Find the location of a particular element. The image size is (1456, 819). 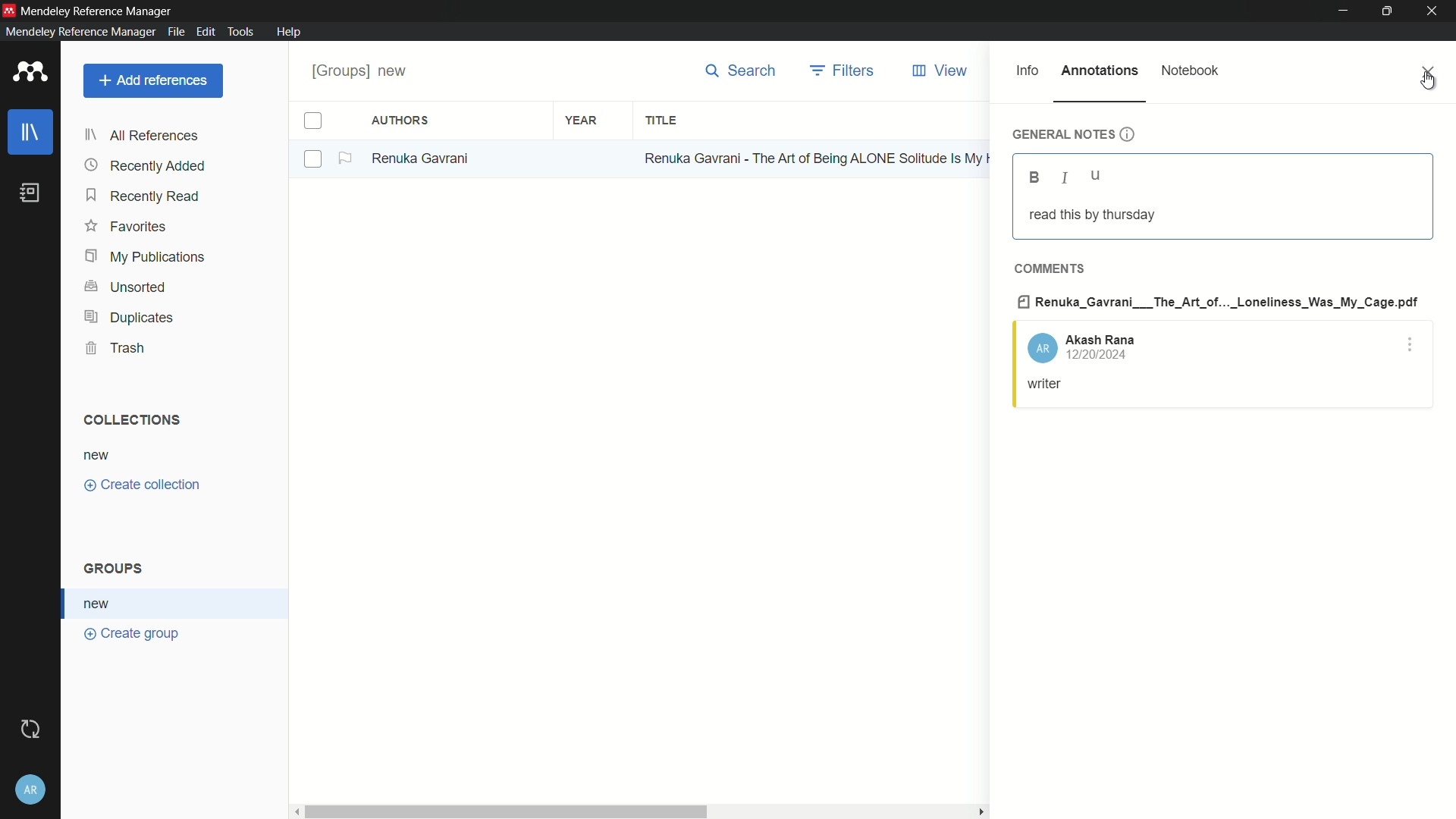

app name is located at coordinates (99, 9).